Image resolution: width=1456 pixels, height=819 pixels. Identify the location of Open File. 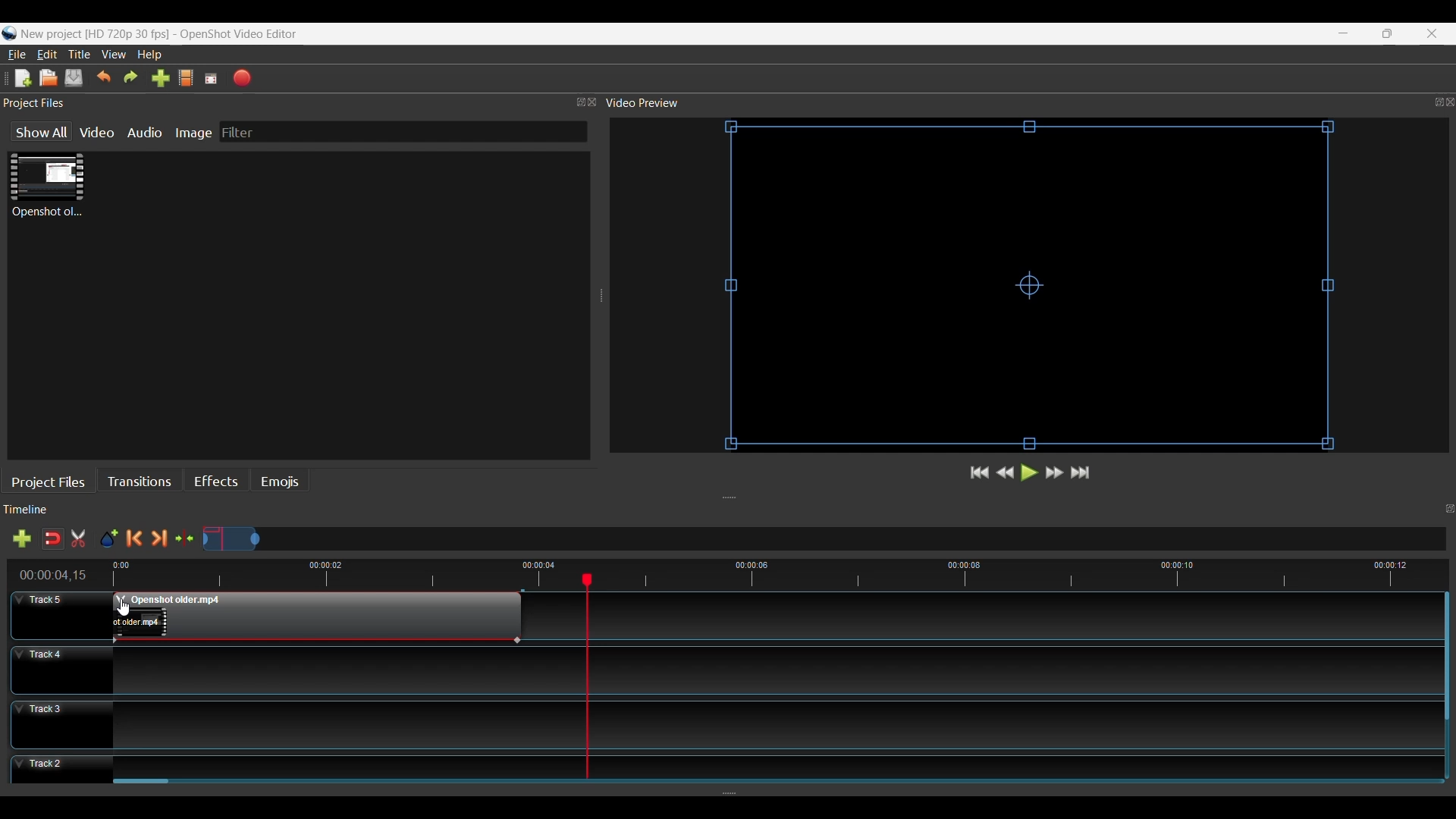
(48, 78).